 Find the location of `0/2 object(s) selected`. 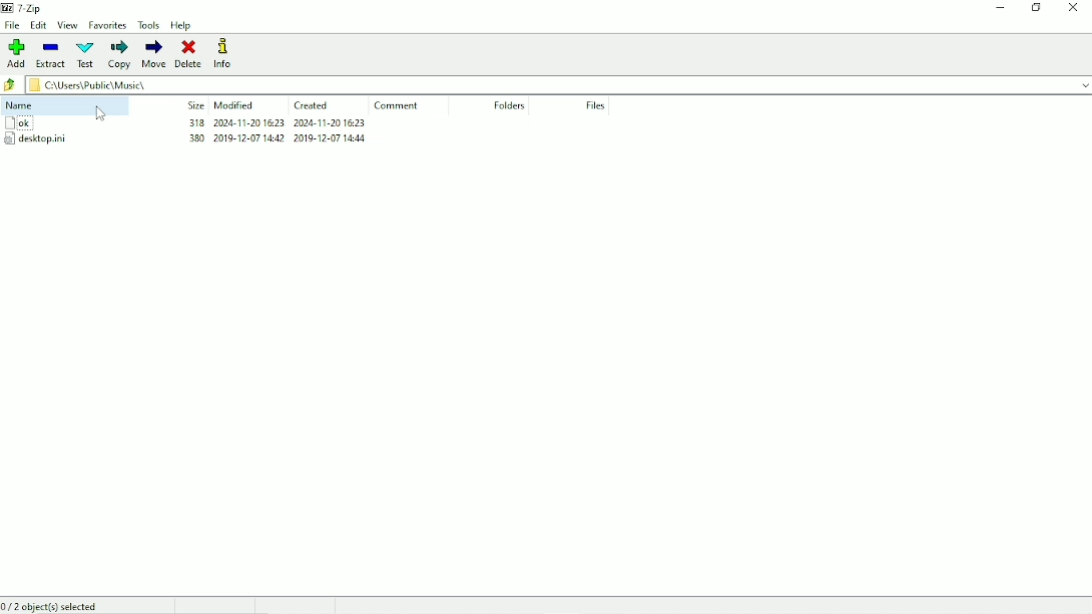

0/2 object(s) selected is located at coordinates (52, 605).